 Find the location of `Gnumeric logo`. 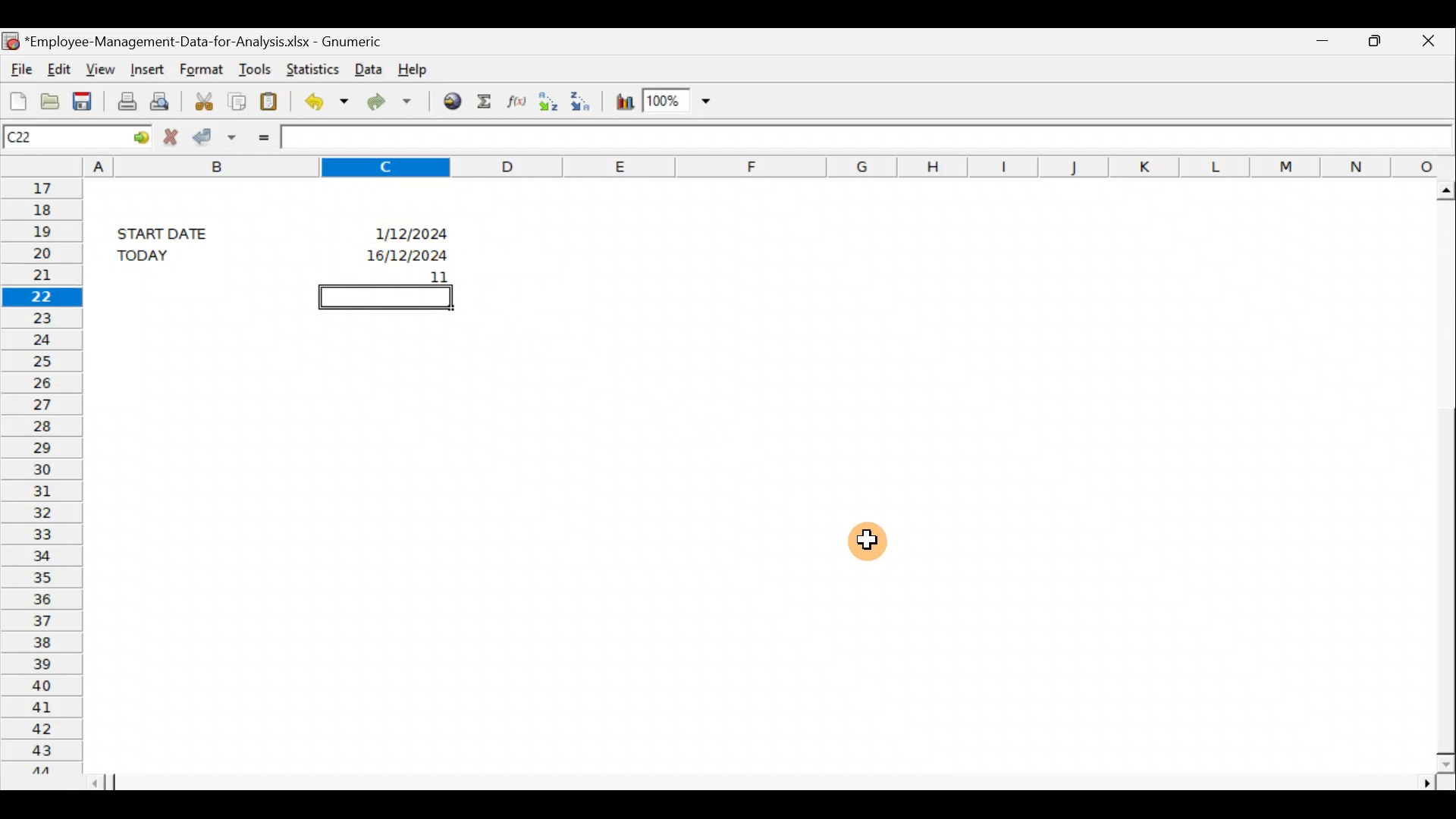

Gnumeric logo is located at coordinates (11, 39).